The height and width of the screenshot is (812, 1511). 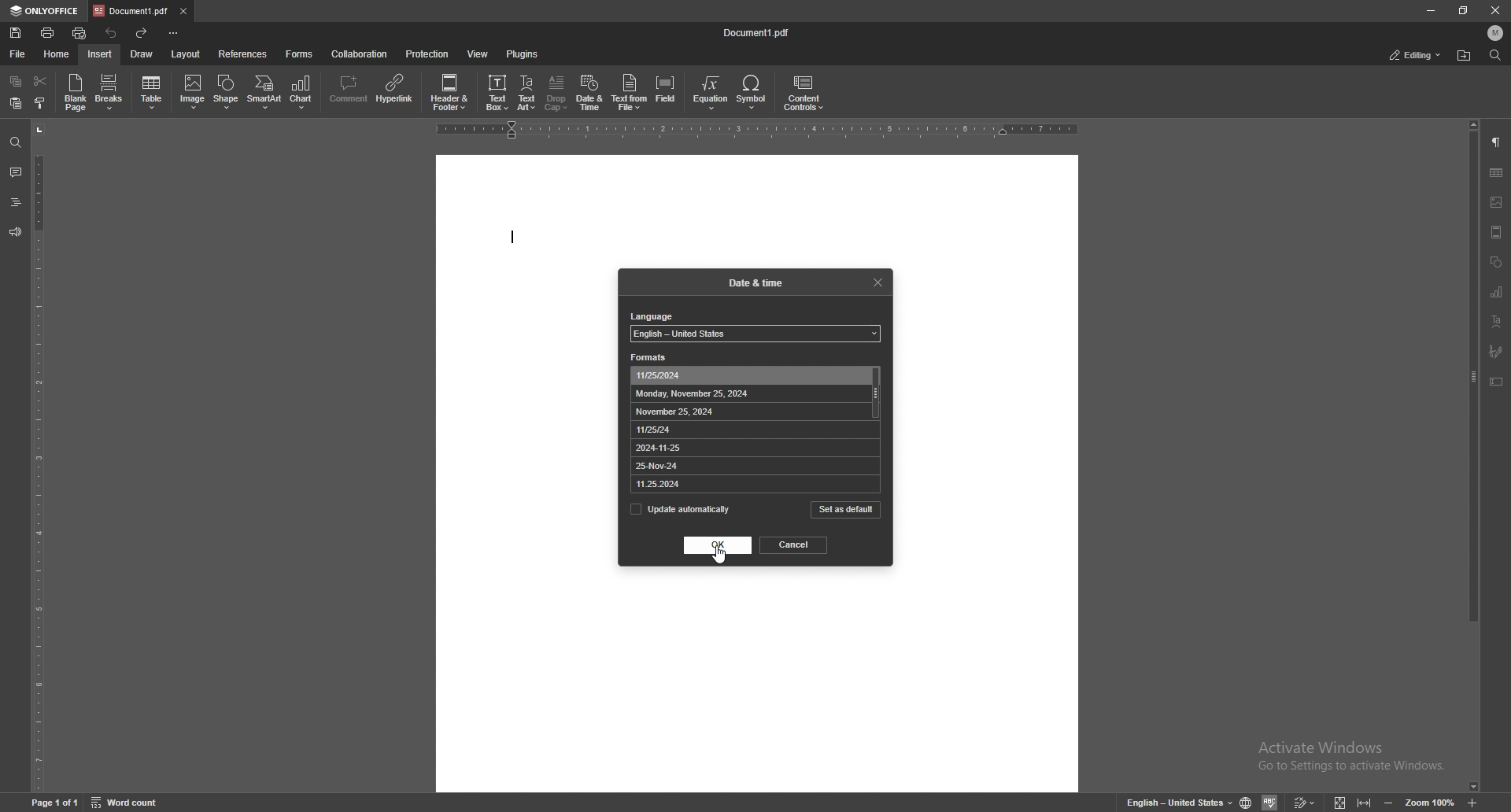 I want to click on smart art, so click(x=264, y=92).